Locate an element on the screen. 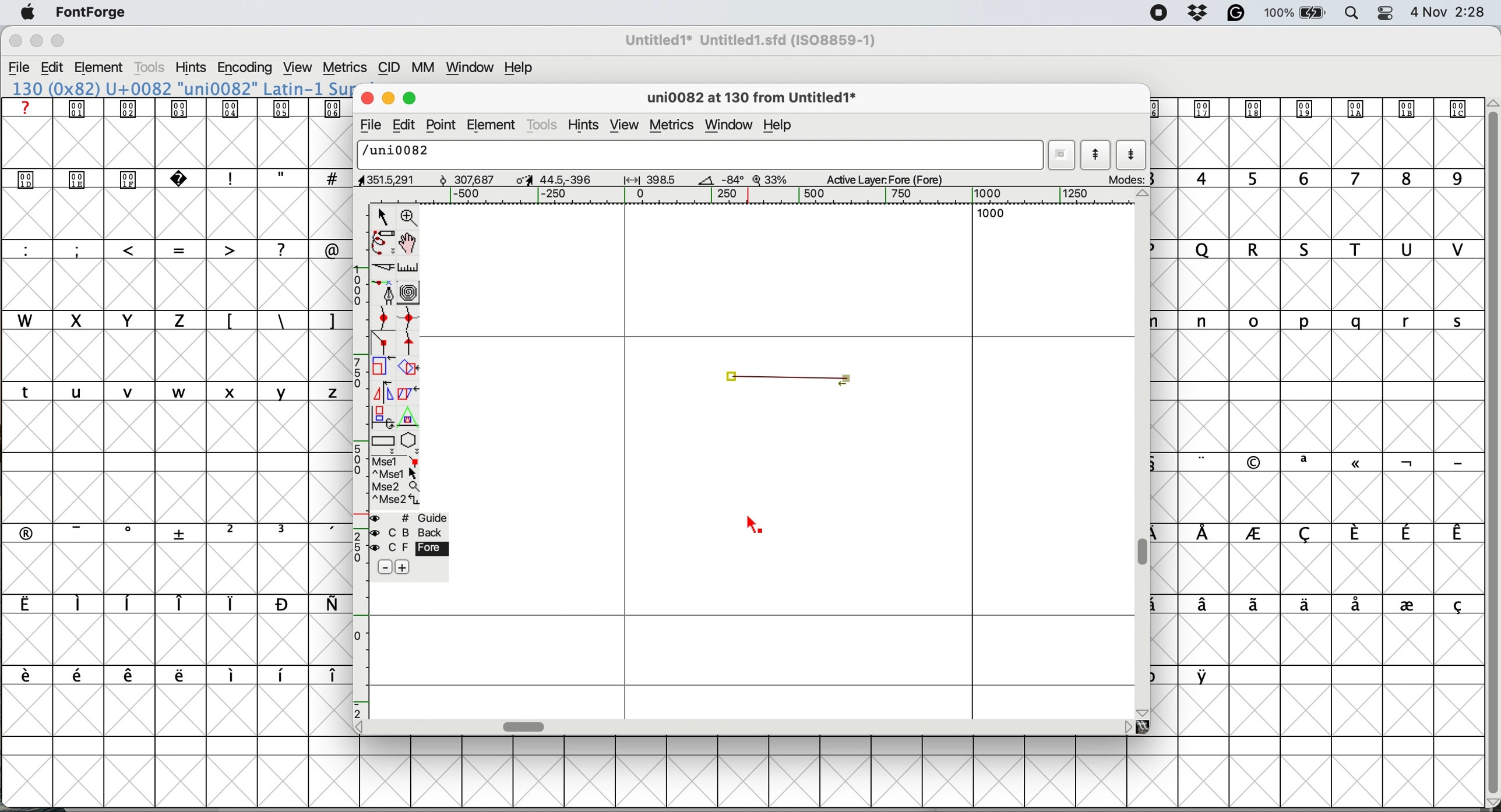 This screenshot has height=812, width=1501. scale the selection is located at coordinates (383, 369).